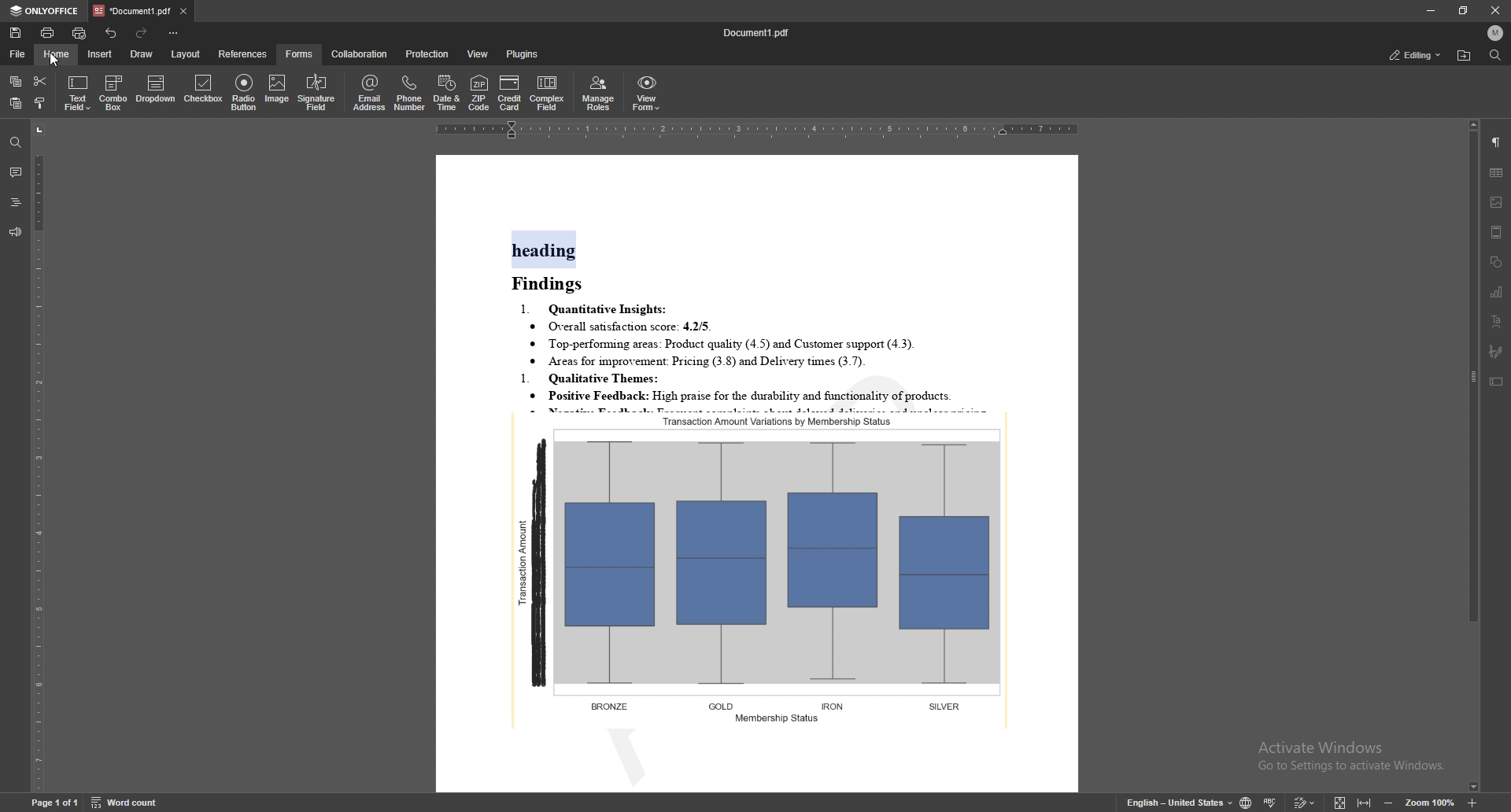 The image size is (1511, 812). Describe the element at coordinates (1495, 352) in the screenshot. I see `signature field` at that location.